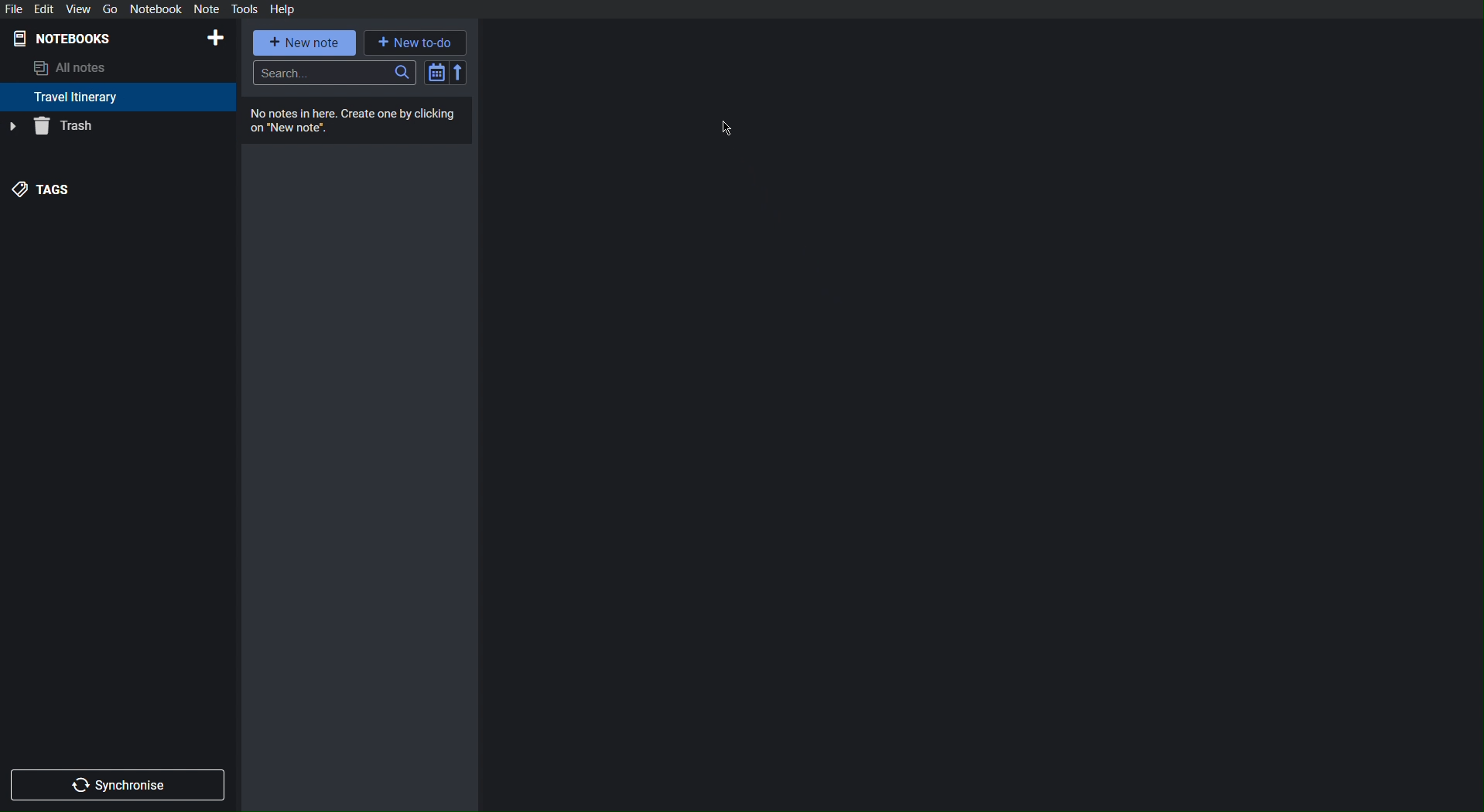 Image resolution: width=1484 pixels, height=812 pixels. Describe the element at coordinates (725, 128) in the screenshot. I see `Cursor` at that location.